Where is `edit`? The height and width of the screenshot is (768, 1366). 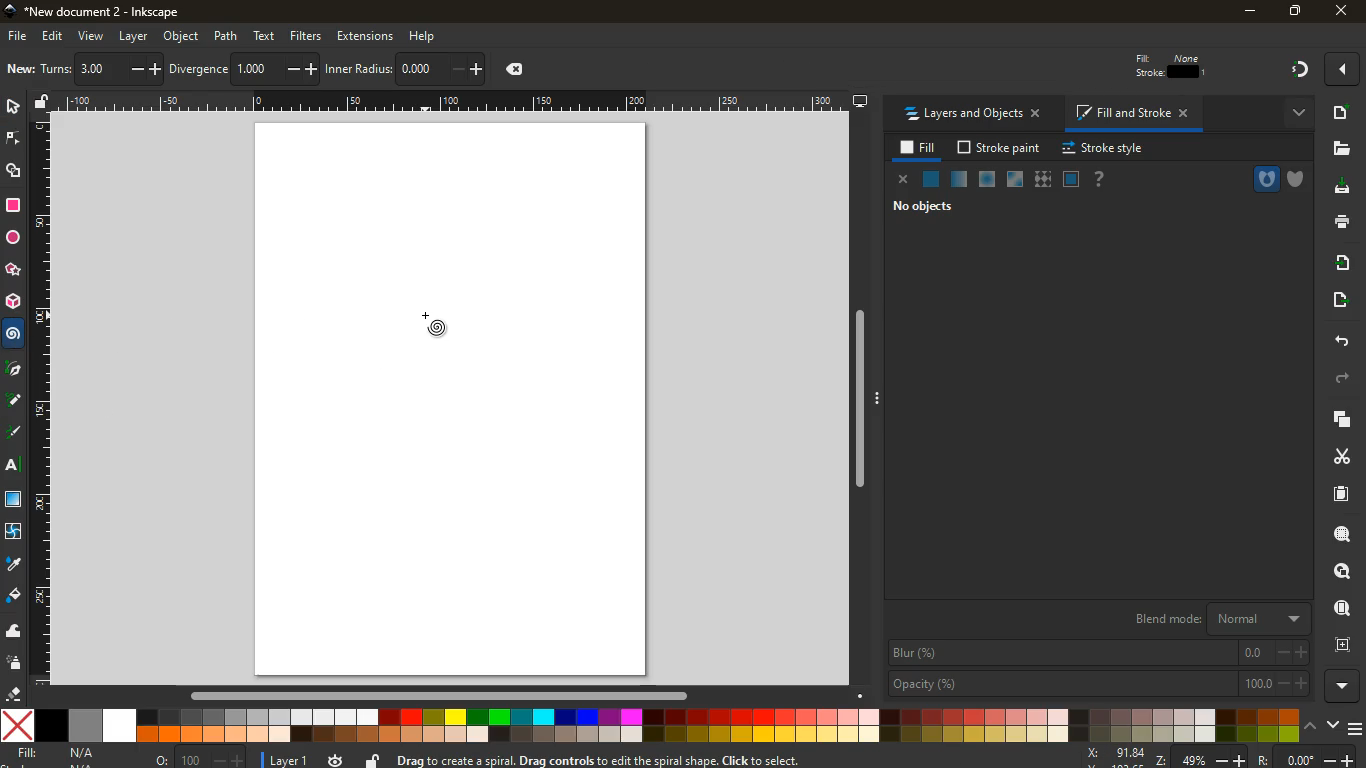
edit is located at coordinates (52, 38).